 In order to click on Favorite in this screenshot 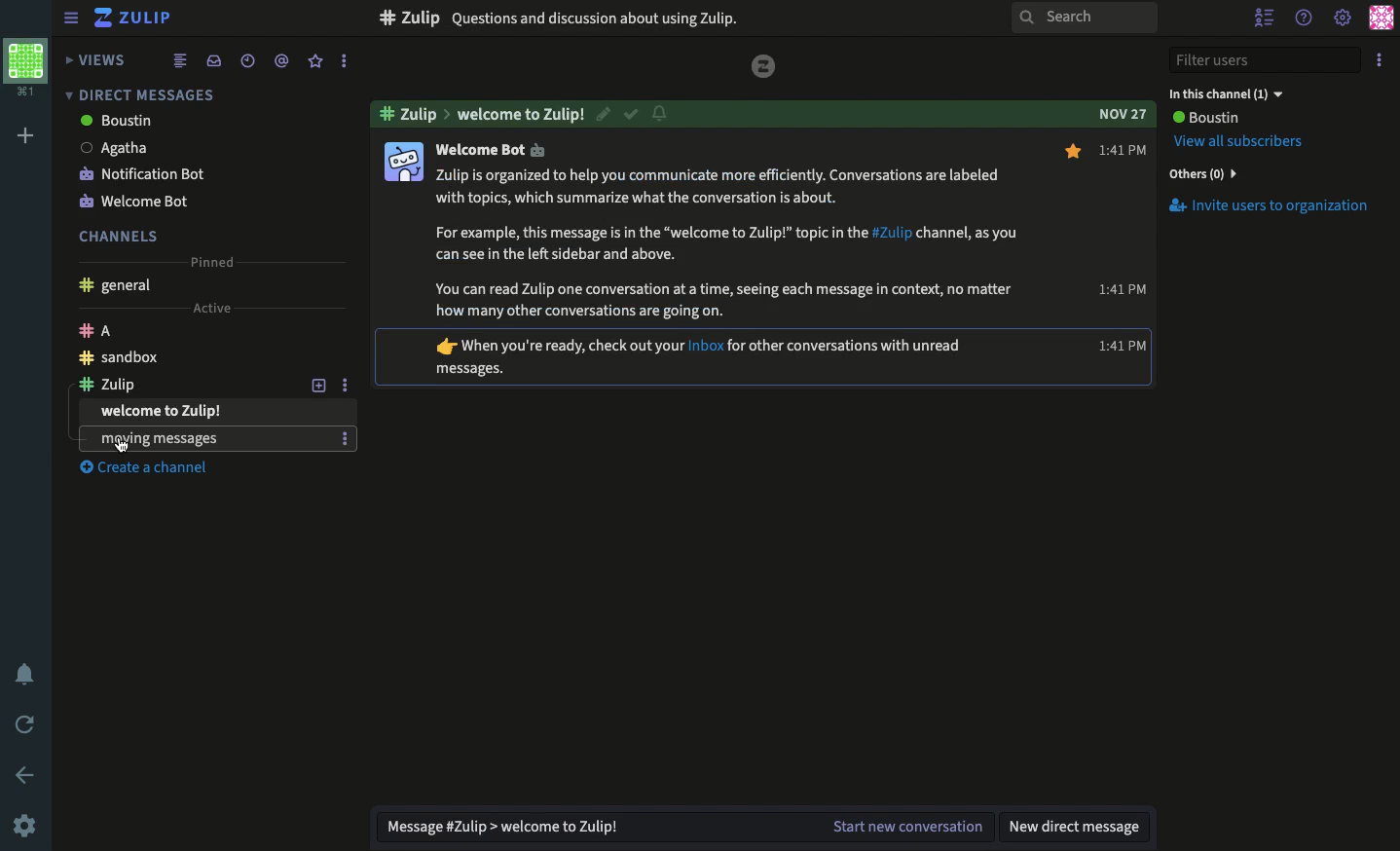, I will do `click(316, 60)`.